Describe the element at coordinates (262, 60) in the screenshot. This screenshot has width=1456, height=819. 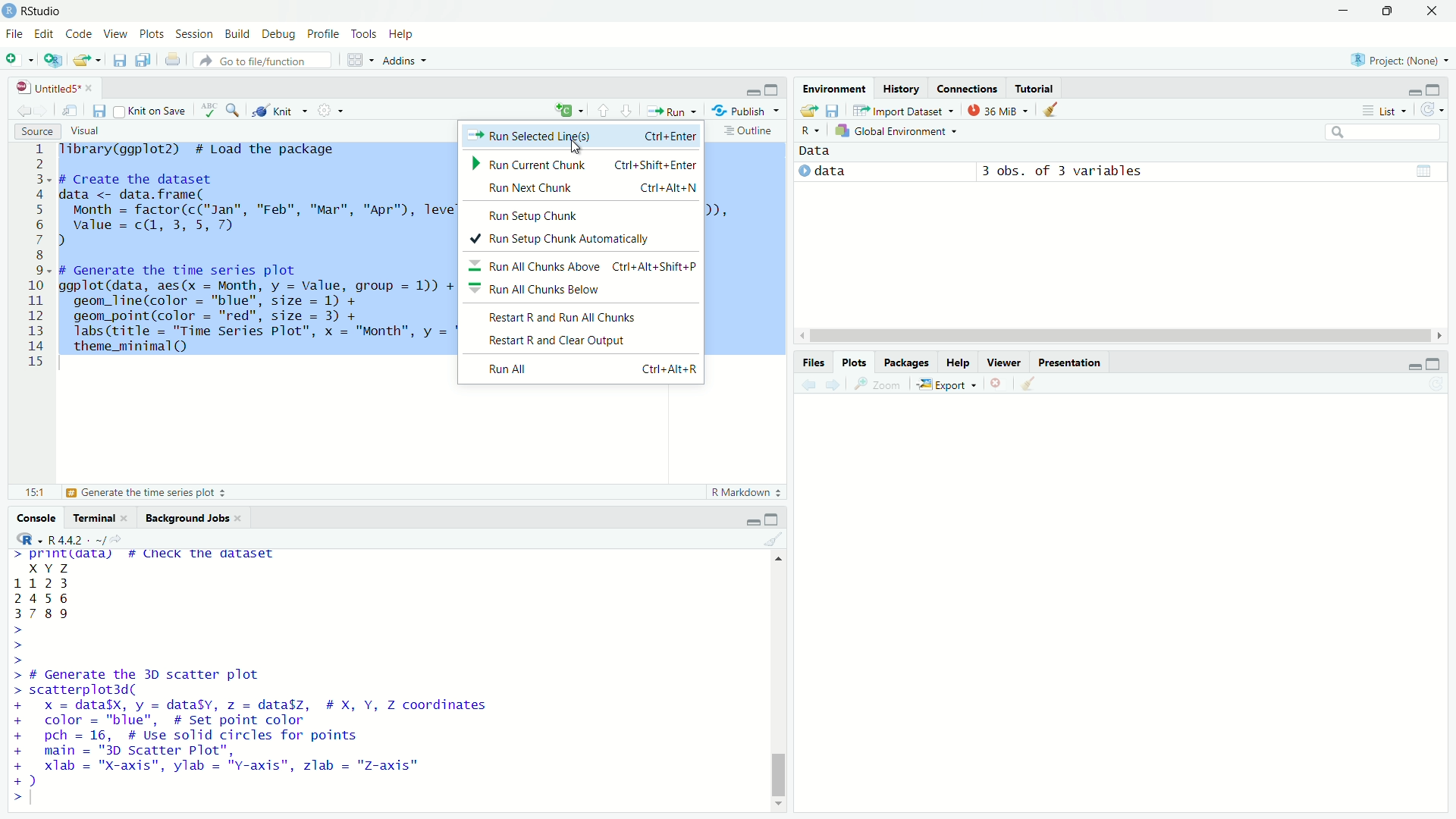
I see `go to file/function` at that location.